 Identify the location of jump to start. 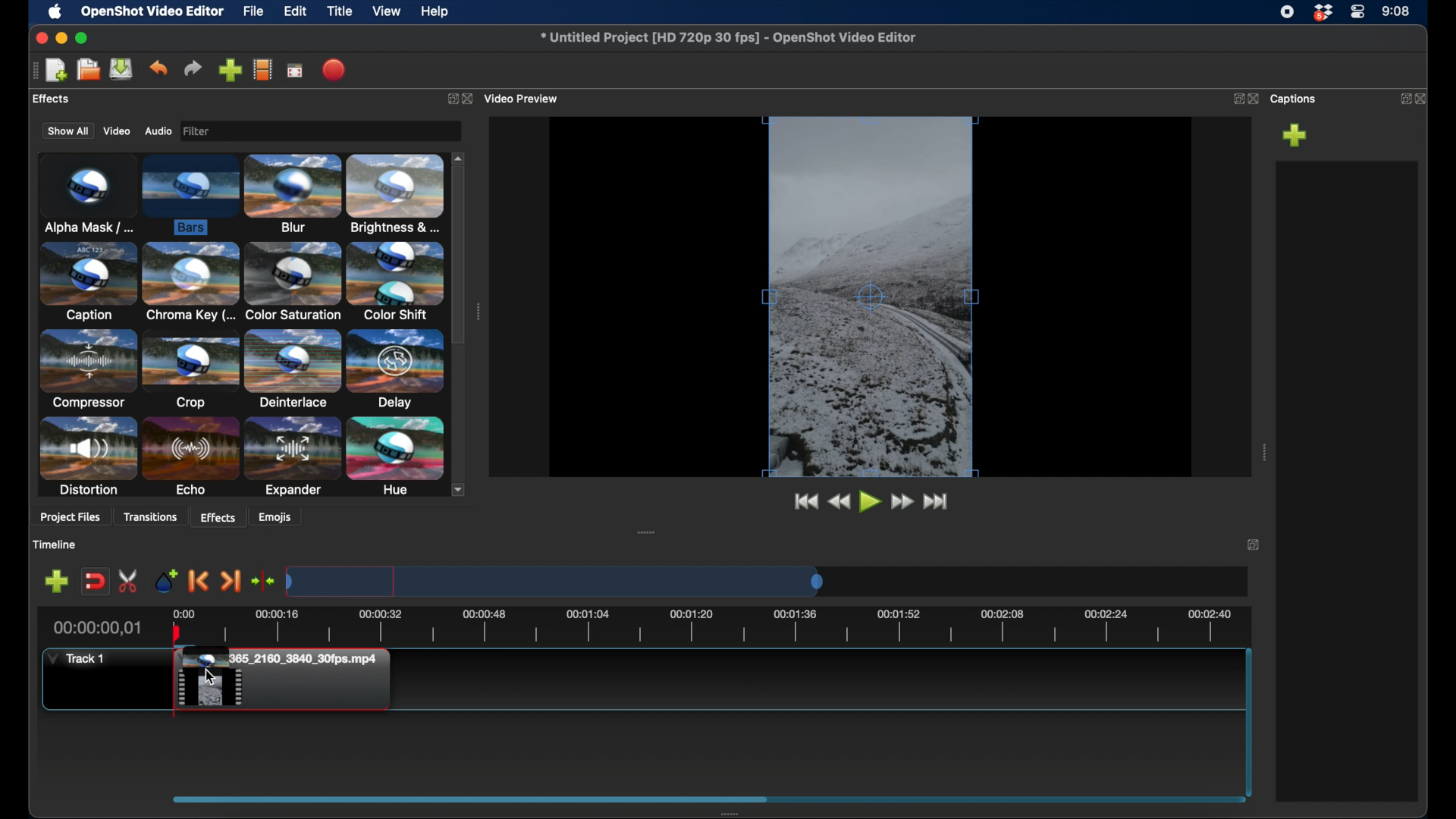
(803, 501).